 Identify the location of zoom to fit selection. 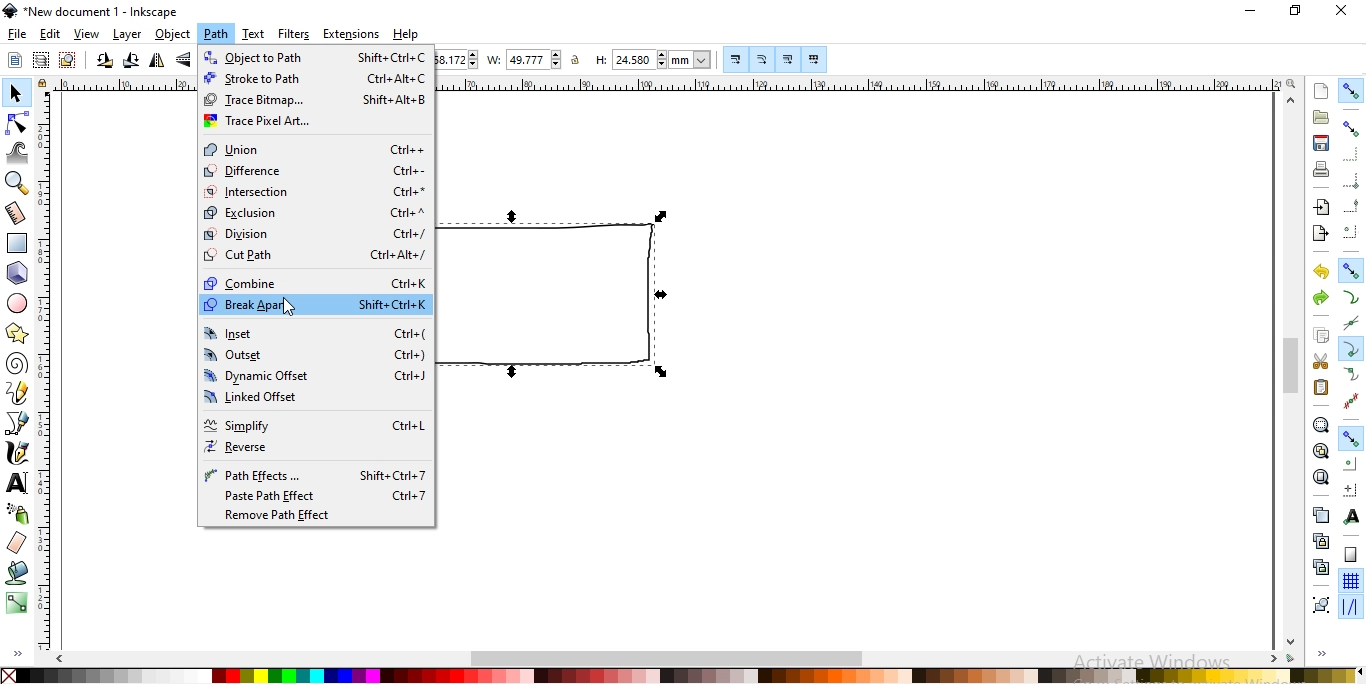
(1320, 425).